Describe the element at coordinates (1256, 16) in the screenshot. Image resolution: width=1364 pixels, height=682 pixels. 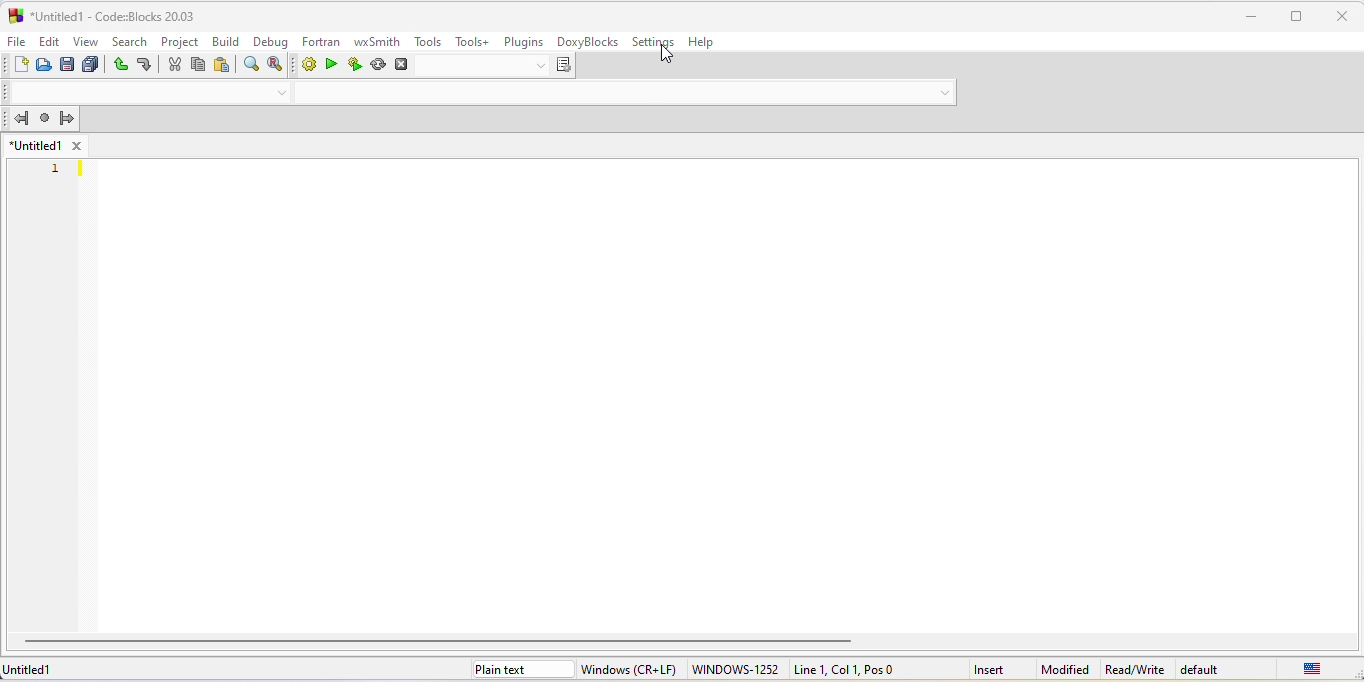
I see `minimize` at that location.